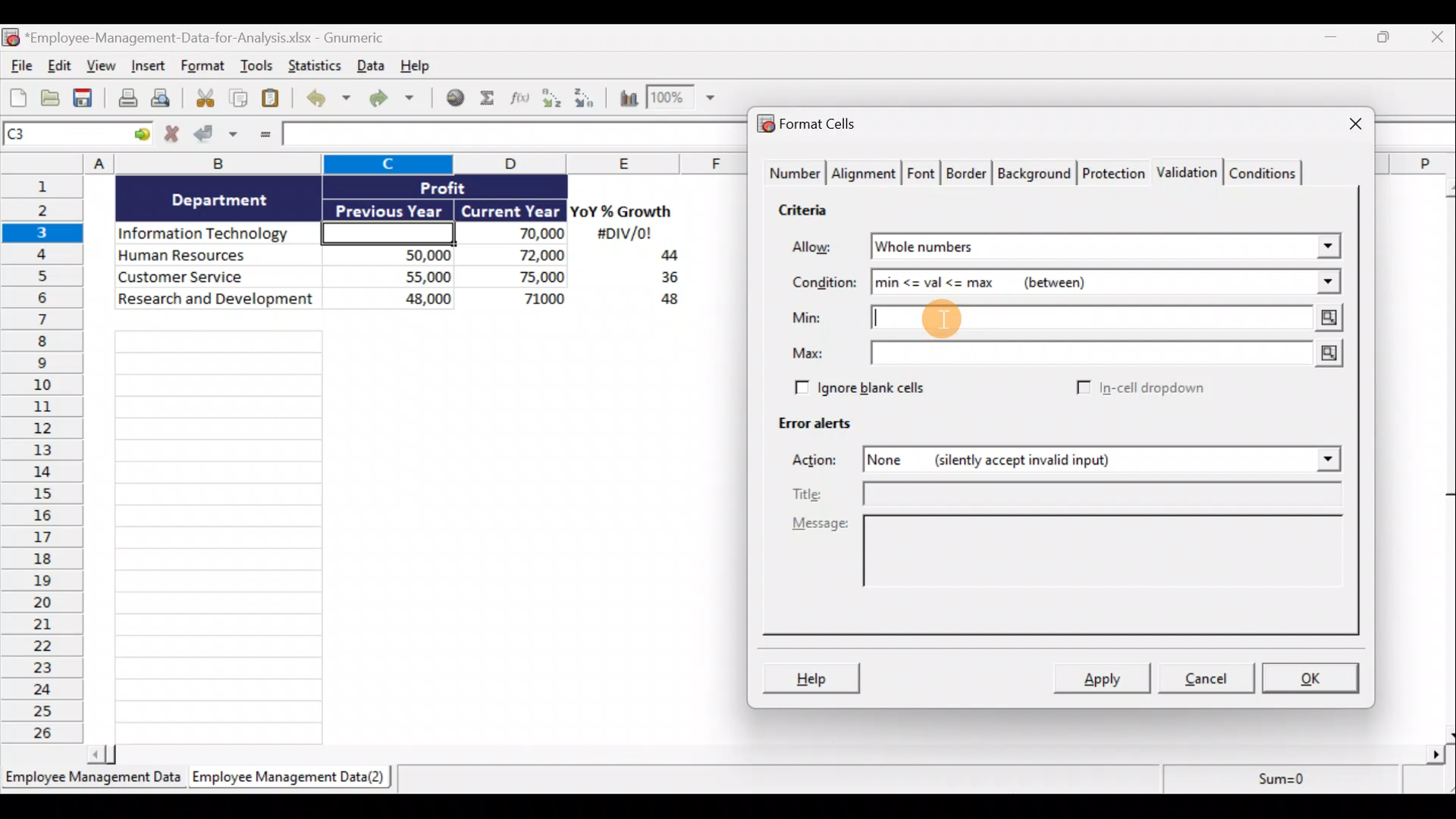 This screenshot has height=819, width=1456. Describe the element at coordinates (10, 37) in the screenshot. I see `Gnumeric logo` at that location.